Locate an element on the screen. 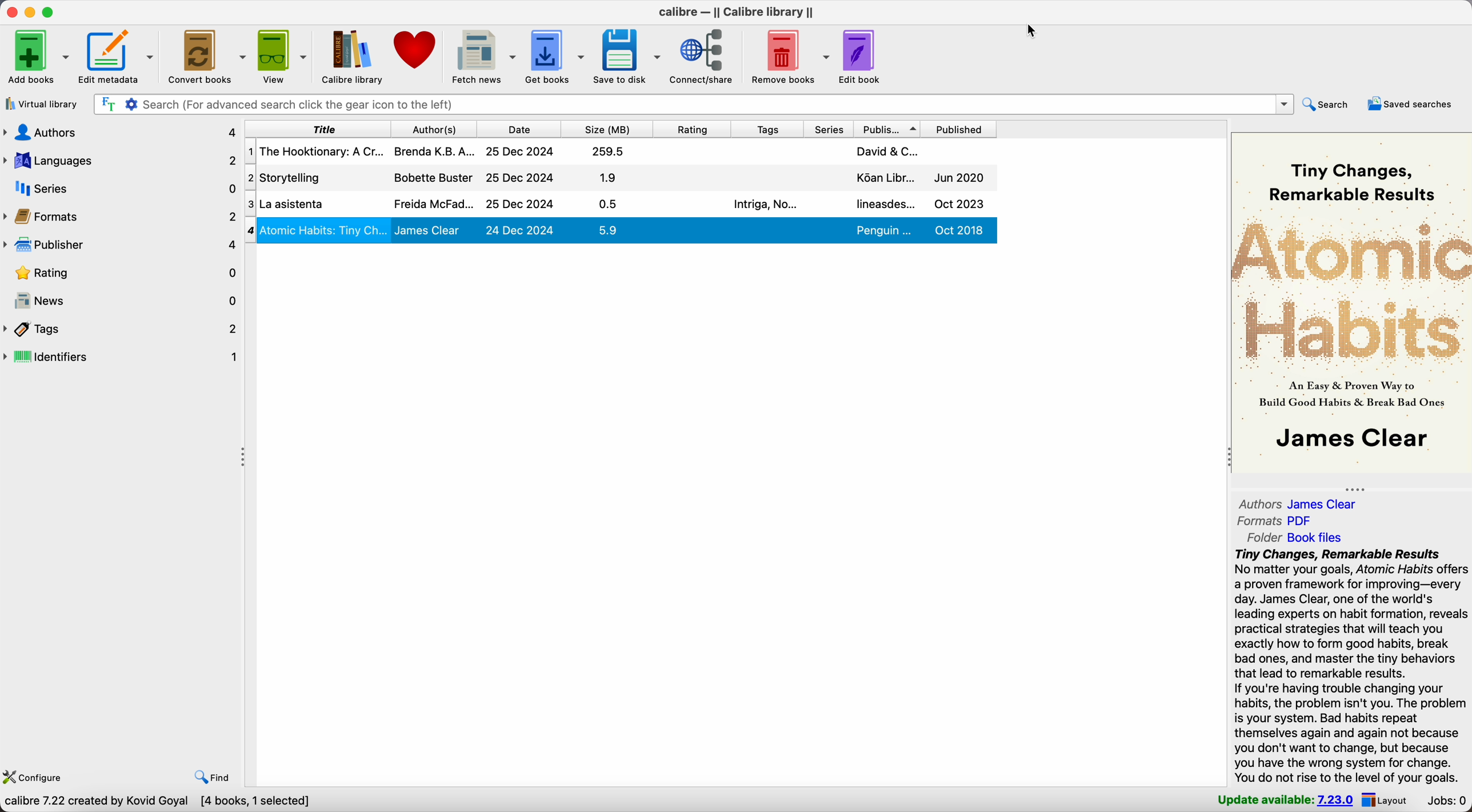 This screenshot has width=1472, height=812. saved searches is located at coordinates (1411, 105).